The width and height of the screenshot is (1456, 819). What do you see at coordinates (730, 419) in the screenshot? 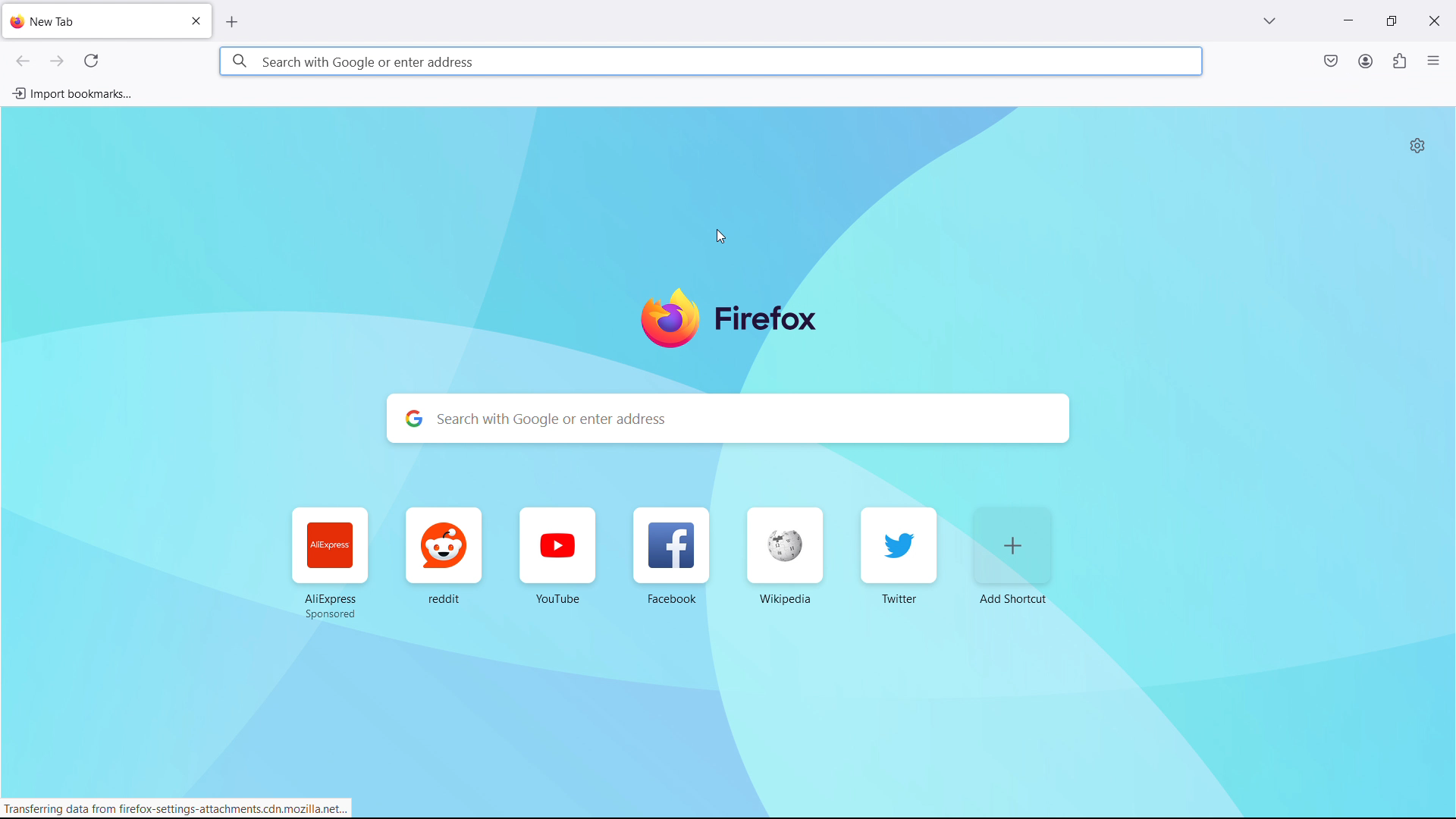
I see `search with google or enter address` at bounding box center [730, 419].